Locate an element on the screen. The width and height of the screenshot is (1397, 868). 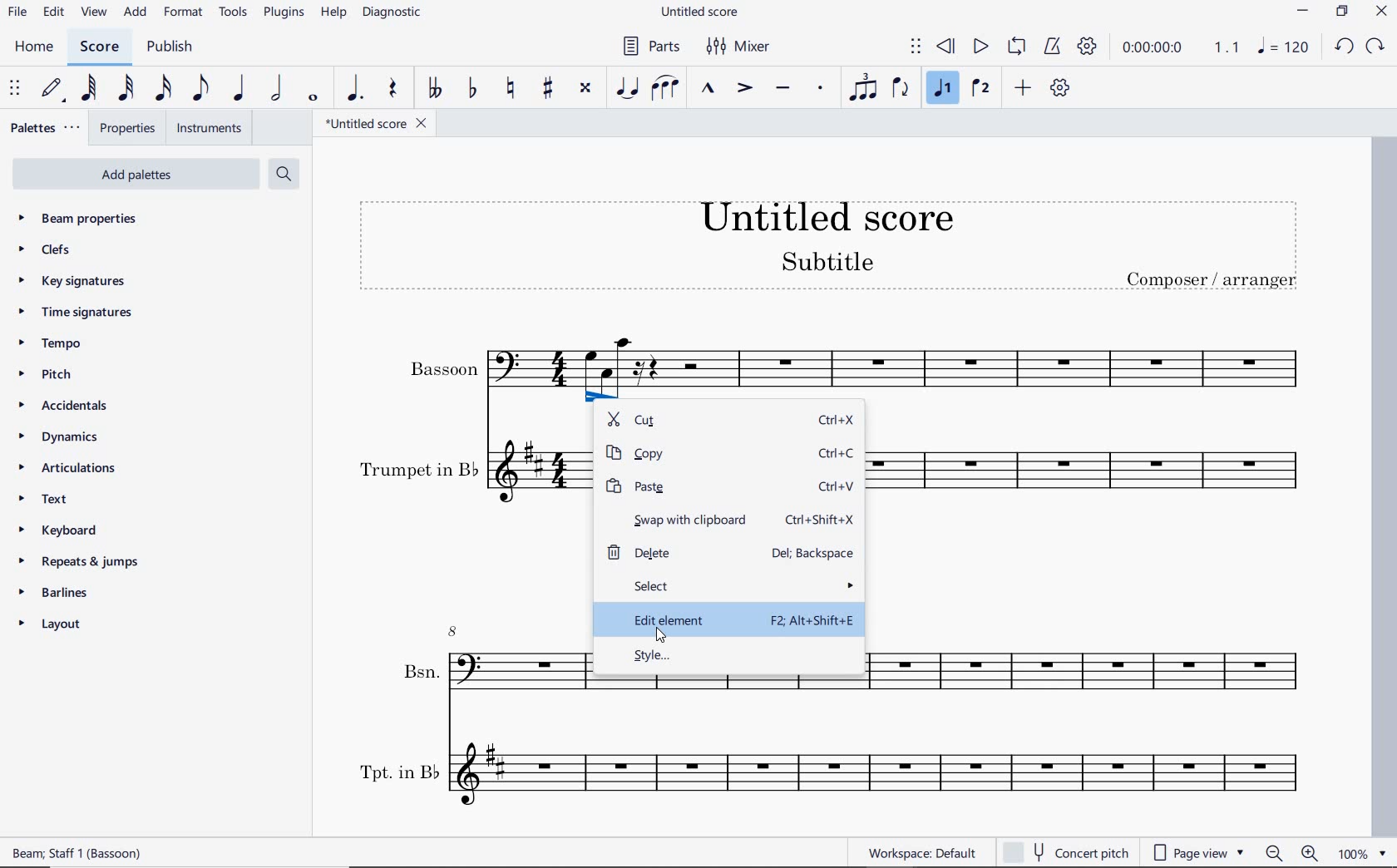
toggle double-flat is located at coordinates (435, 89).